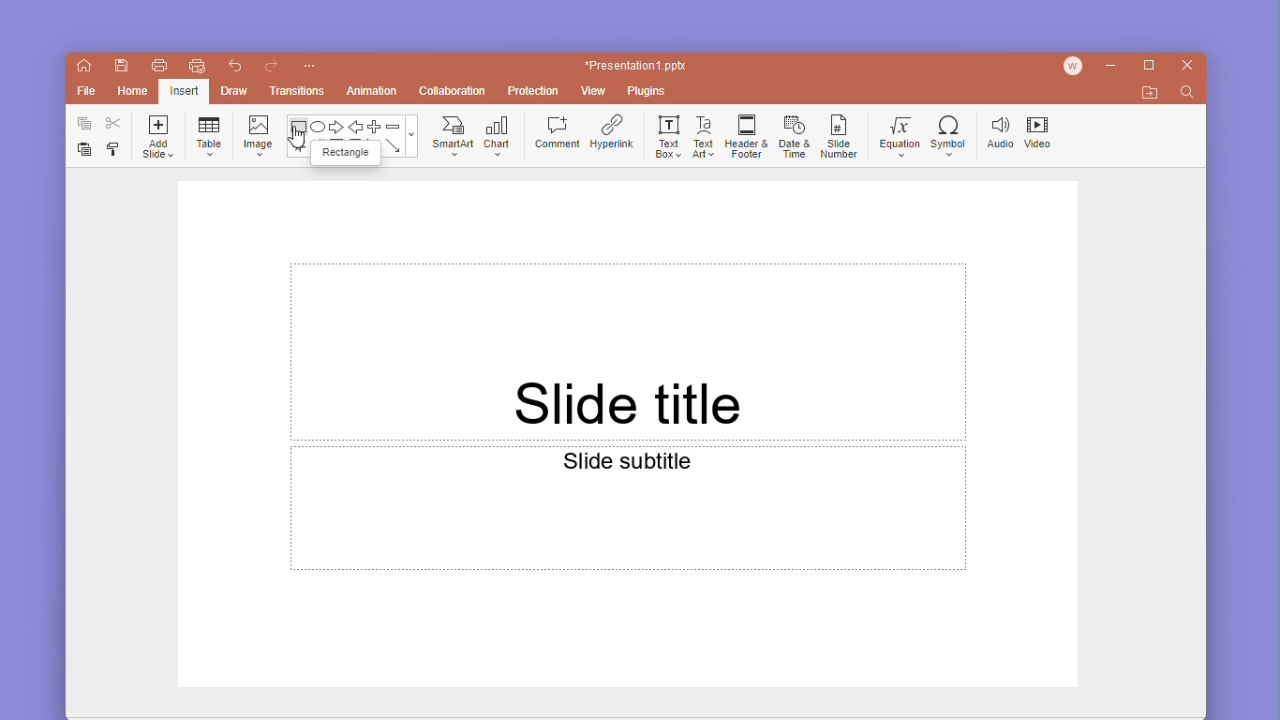  What do you see at coordinates (1041, 130) in the screenshot?
I see `video` at bounding box center [1041, 130].